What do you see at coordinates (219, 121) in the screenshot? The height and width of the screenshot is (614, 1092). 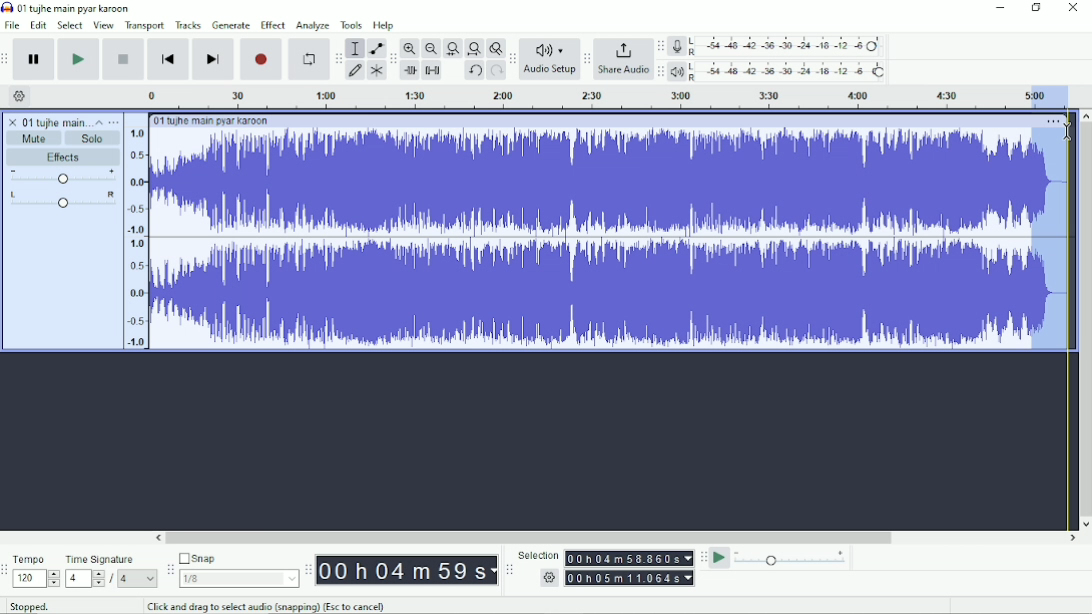 I see `01 tujhe main pyar karoon` at bounding box center [219, 121].